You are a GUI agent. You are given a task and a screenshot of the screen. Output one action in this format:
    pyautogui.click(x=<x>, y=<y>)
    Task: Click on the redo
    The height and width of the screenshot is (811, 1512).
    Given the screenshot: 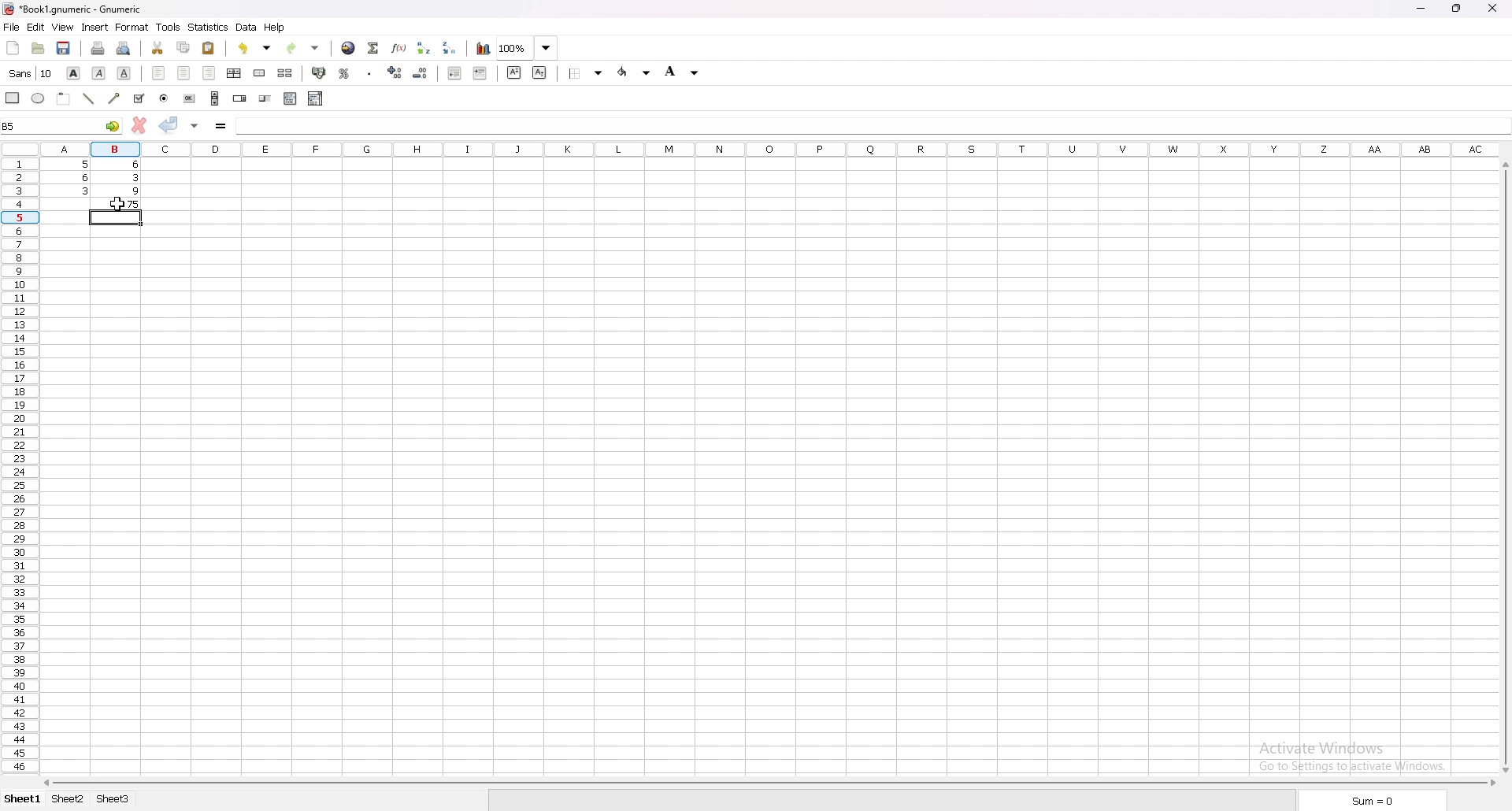 What is the action you would take?
    pyautogui.click(x=306, y=47)
    